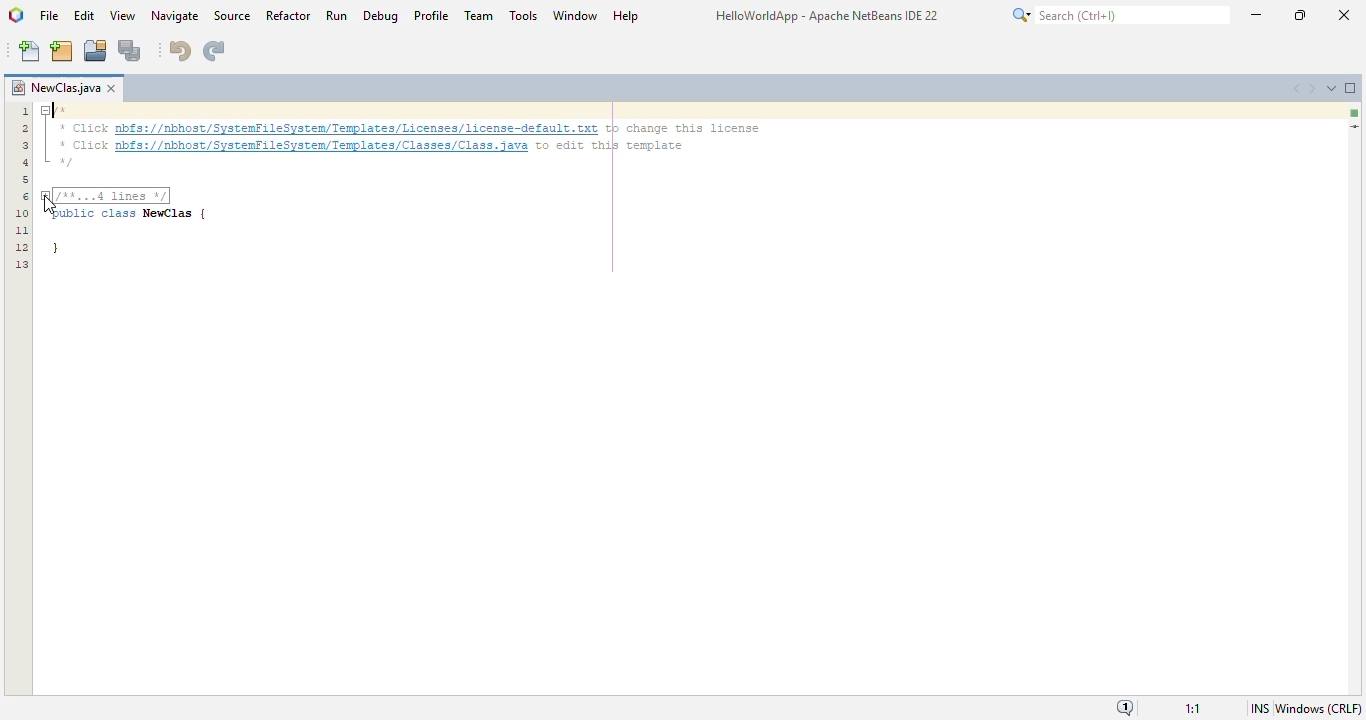 The image size is (1366, 720). Describe the element at coordinates (336, 15) in the screenshot. I see `run` at that location.